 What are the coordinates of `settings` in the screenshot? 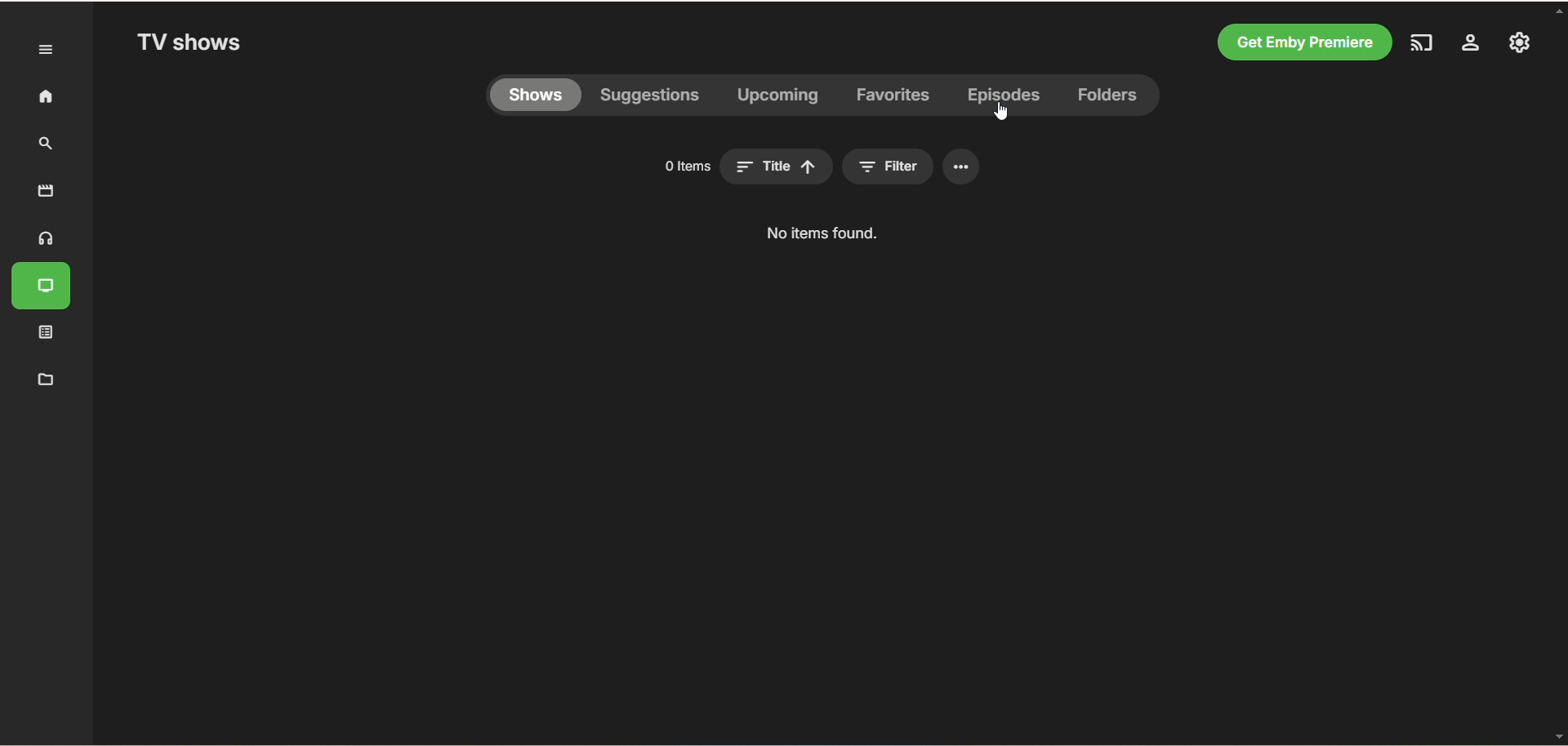 It's located at (1473, 43).